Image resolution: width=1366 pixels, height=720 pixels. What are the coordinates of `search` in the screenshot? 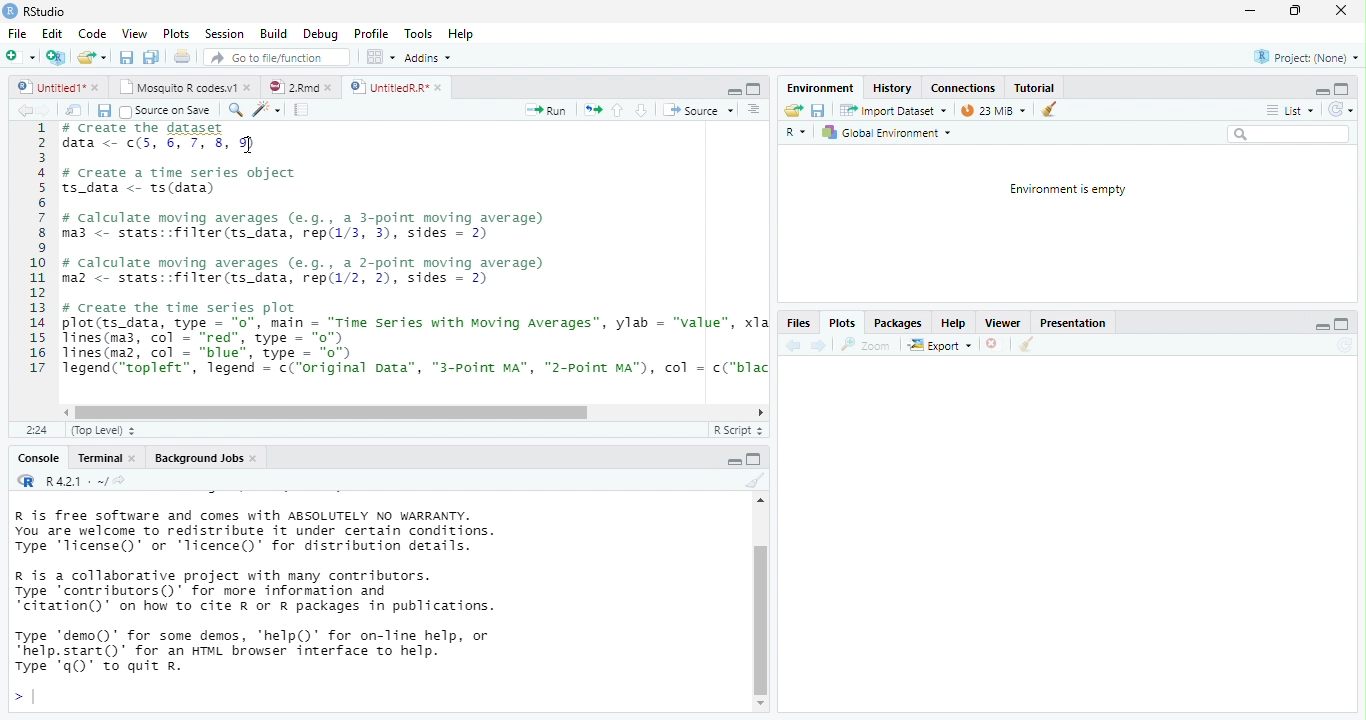 It's located at (1288, 134).